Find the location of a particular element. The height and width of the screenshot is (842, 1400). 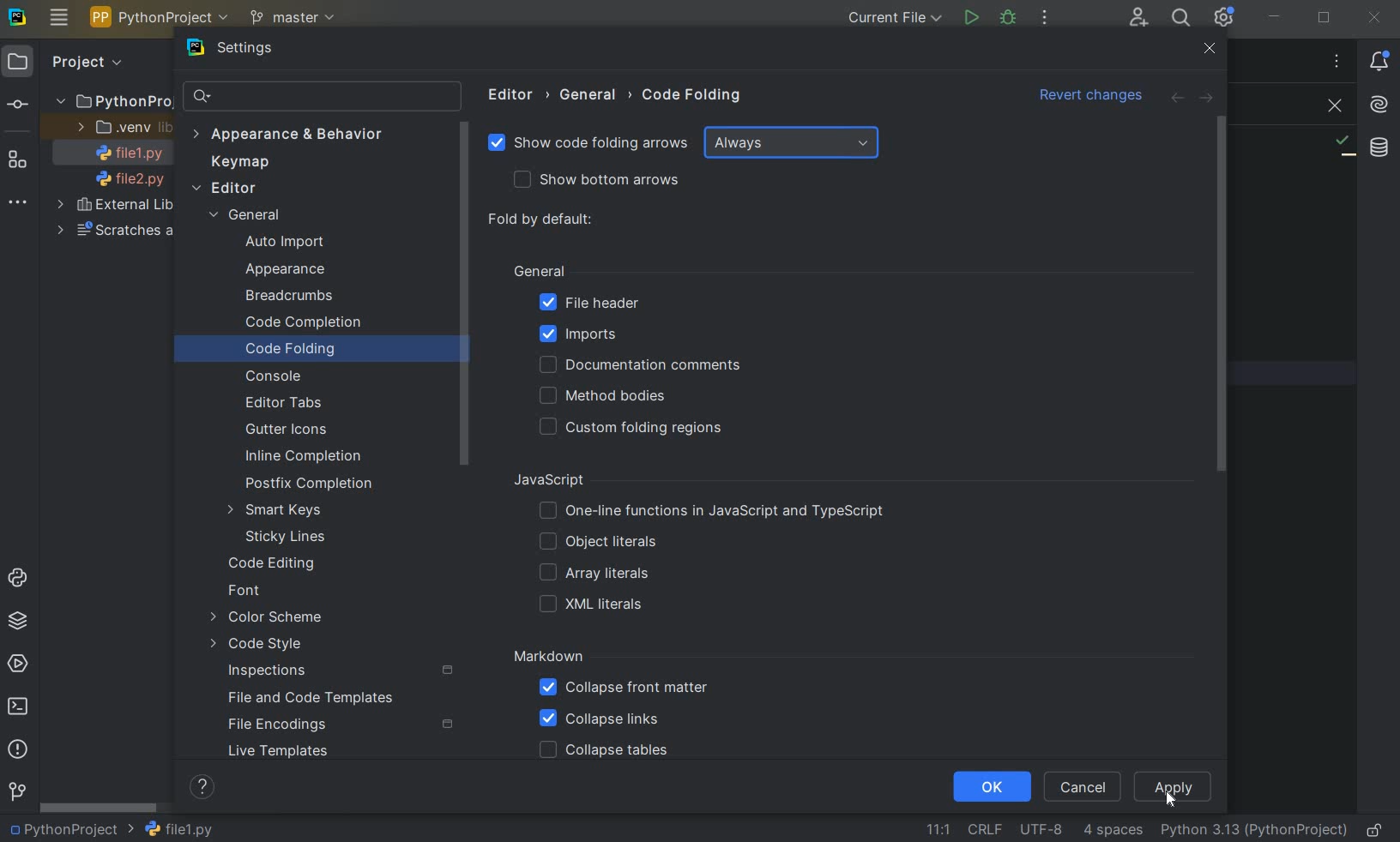

STRUCTURE is located at coordinates (19, 161).